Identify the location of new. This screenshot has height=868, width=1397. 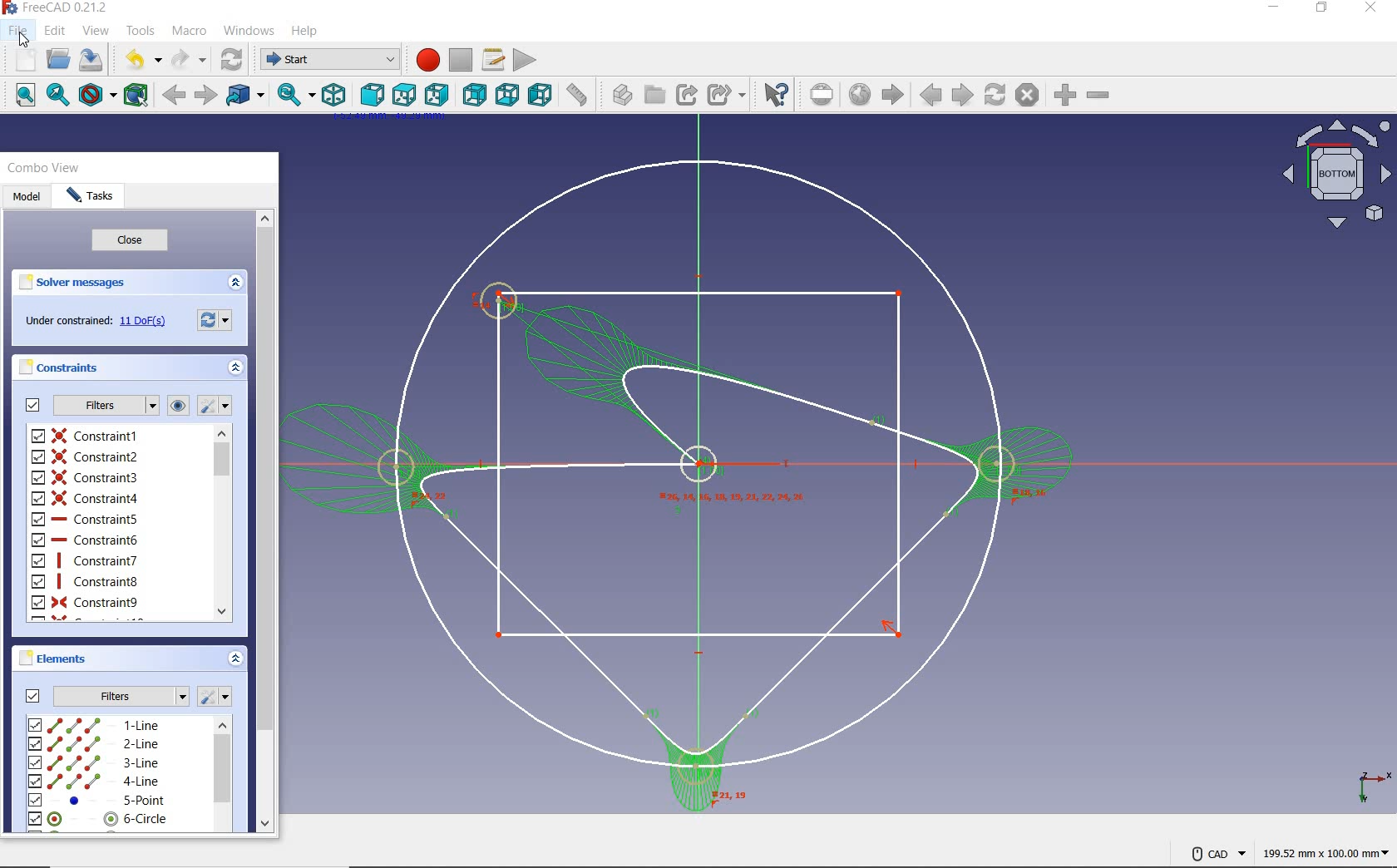
(26, 60).